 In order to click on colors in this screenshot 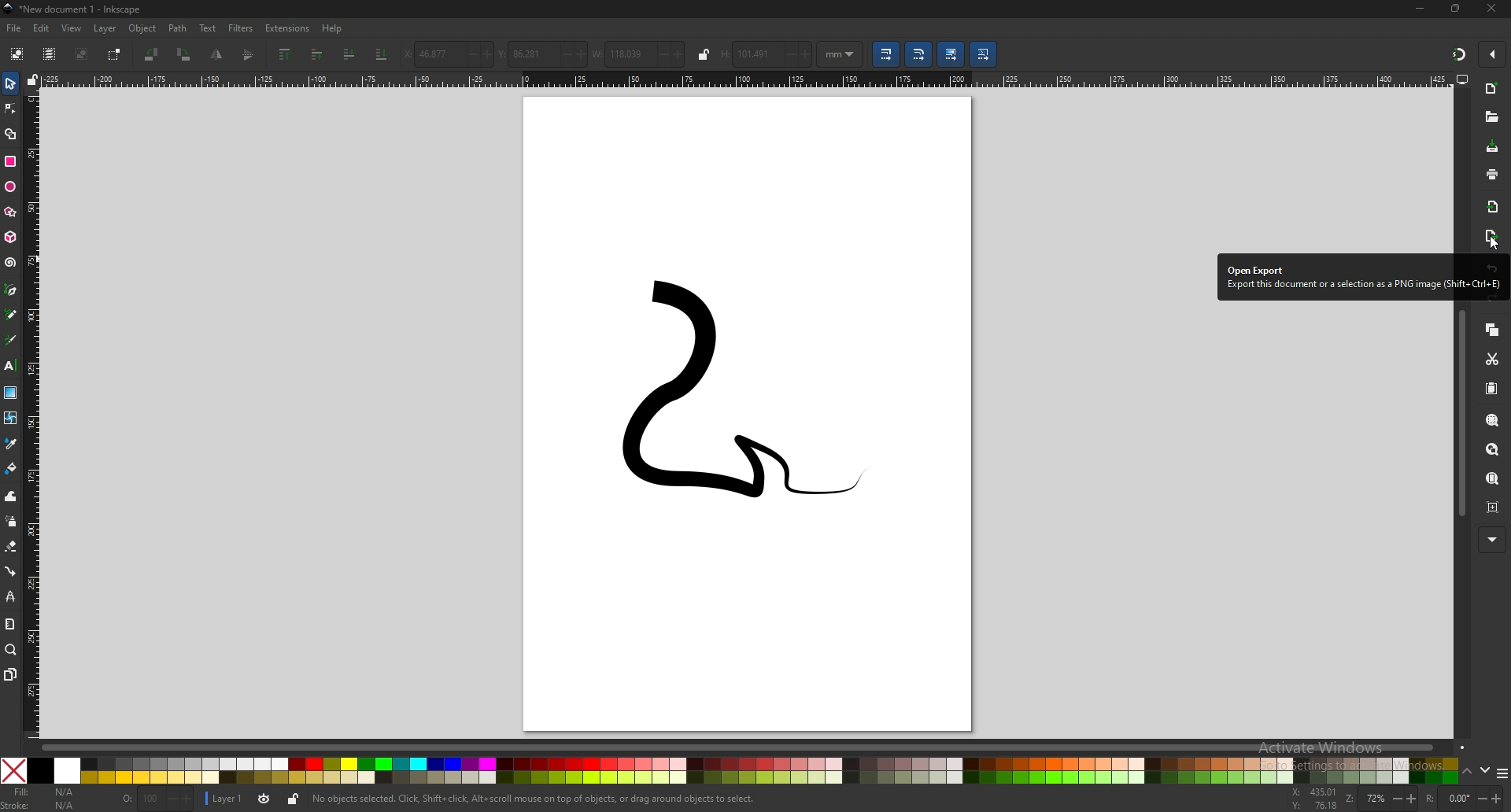, I will do `click(730, 770)`.